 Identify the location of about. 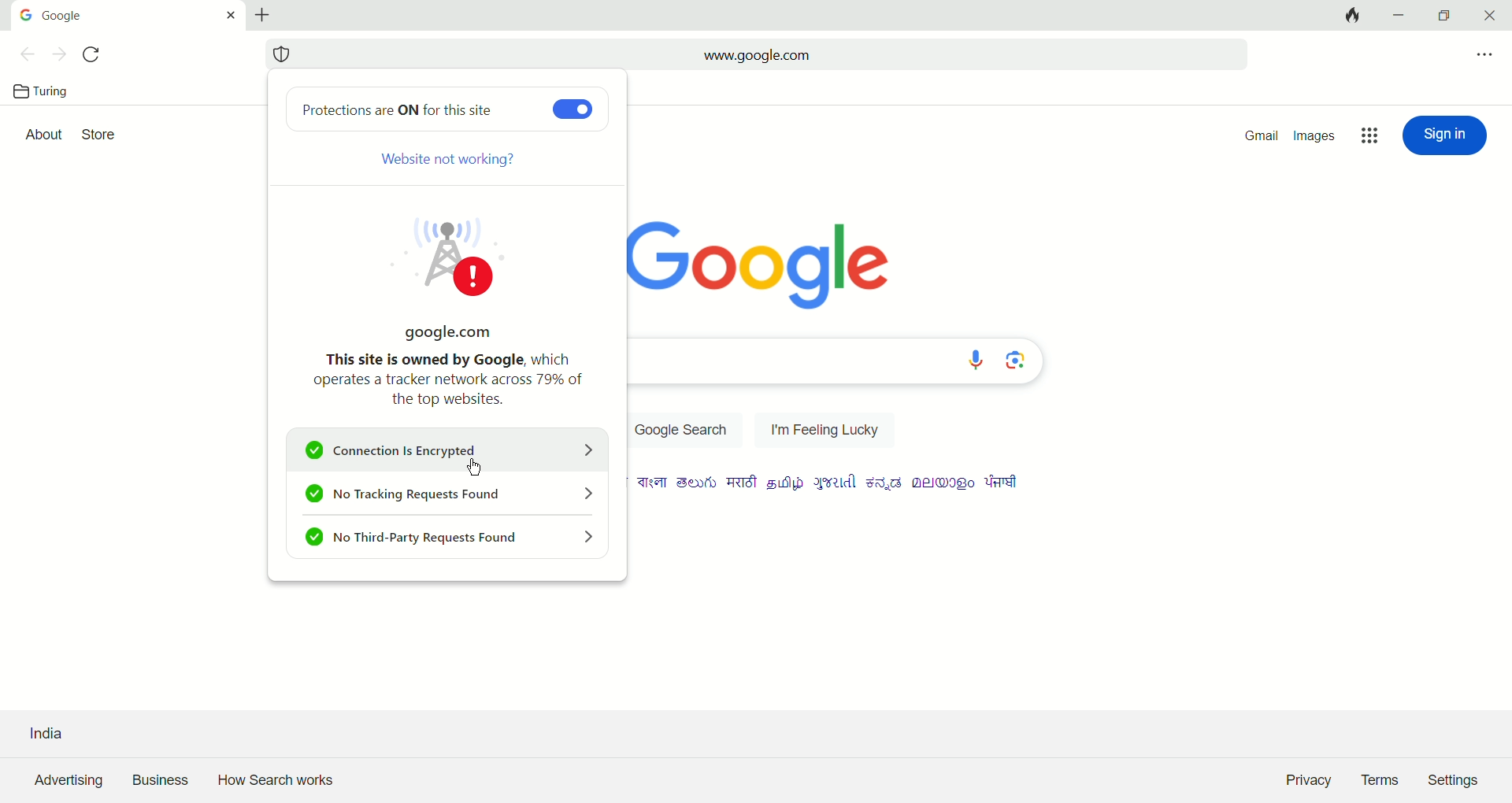
(43, 135).